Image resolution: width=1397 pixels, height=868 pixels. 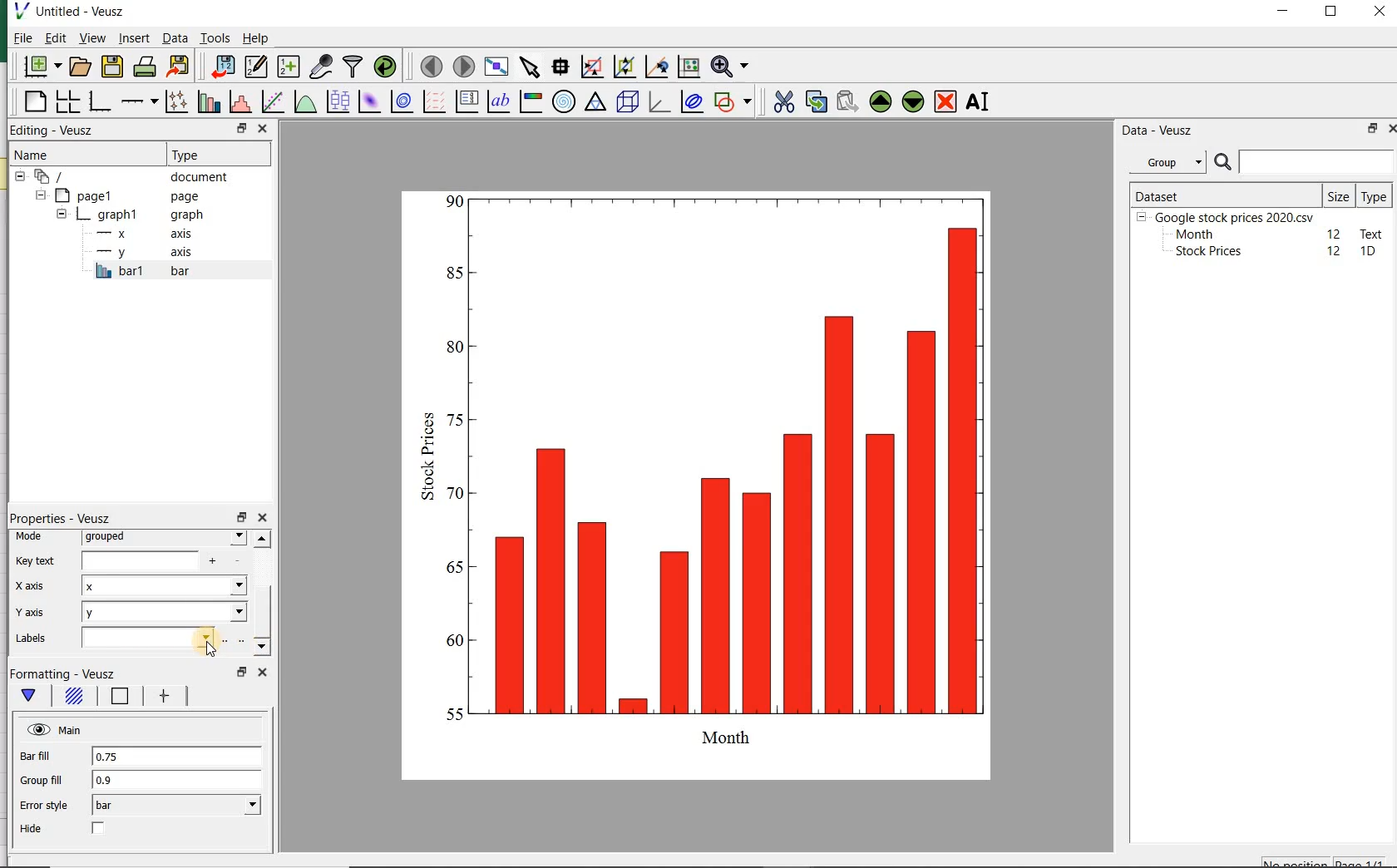 What do you see at coordinates (150, 637) in the screenshot?
I see `input field` at bounding box center [150, 637].